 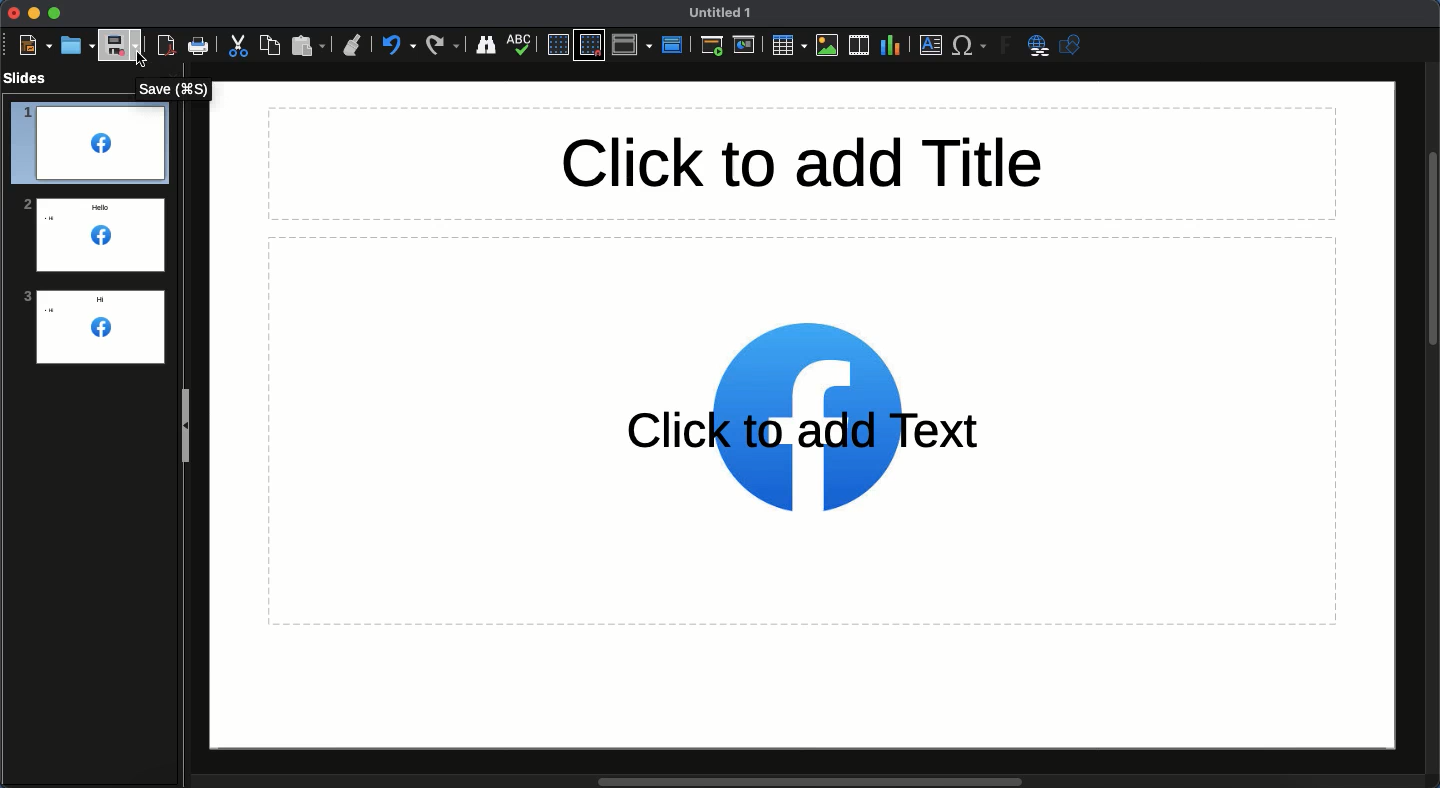 I want to click on Save, so click(x=172, y=89).